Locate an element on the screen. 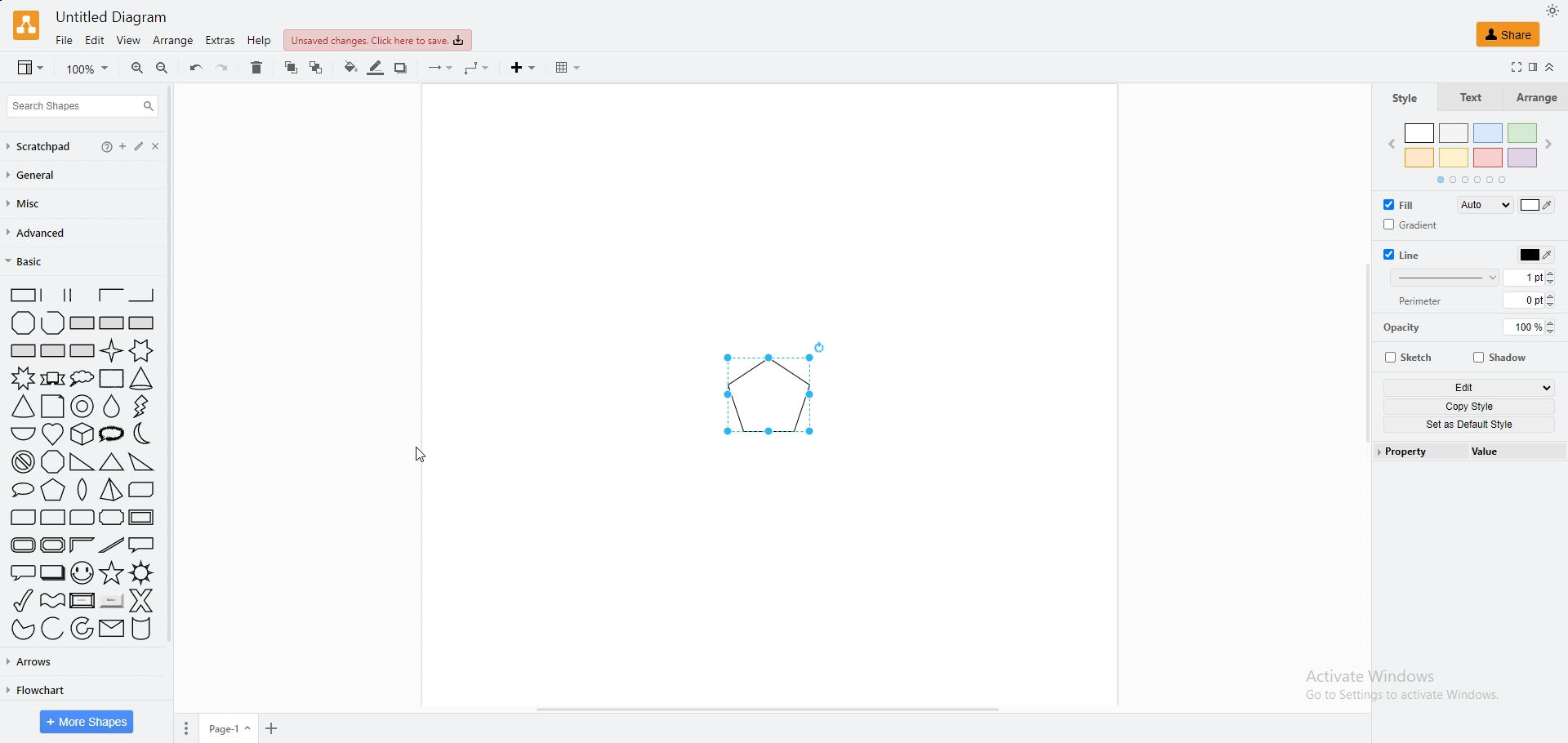 This screenshot has width=1568, height=743. rectangle with horizontal fill is located at coordinates (23, 349).